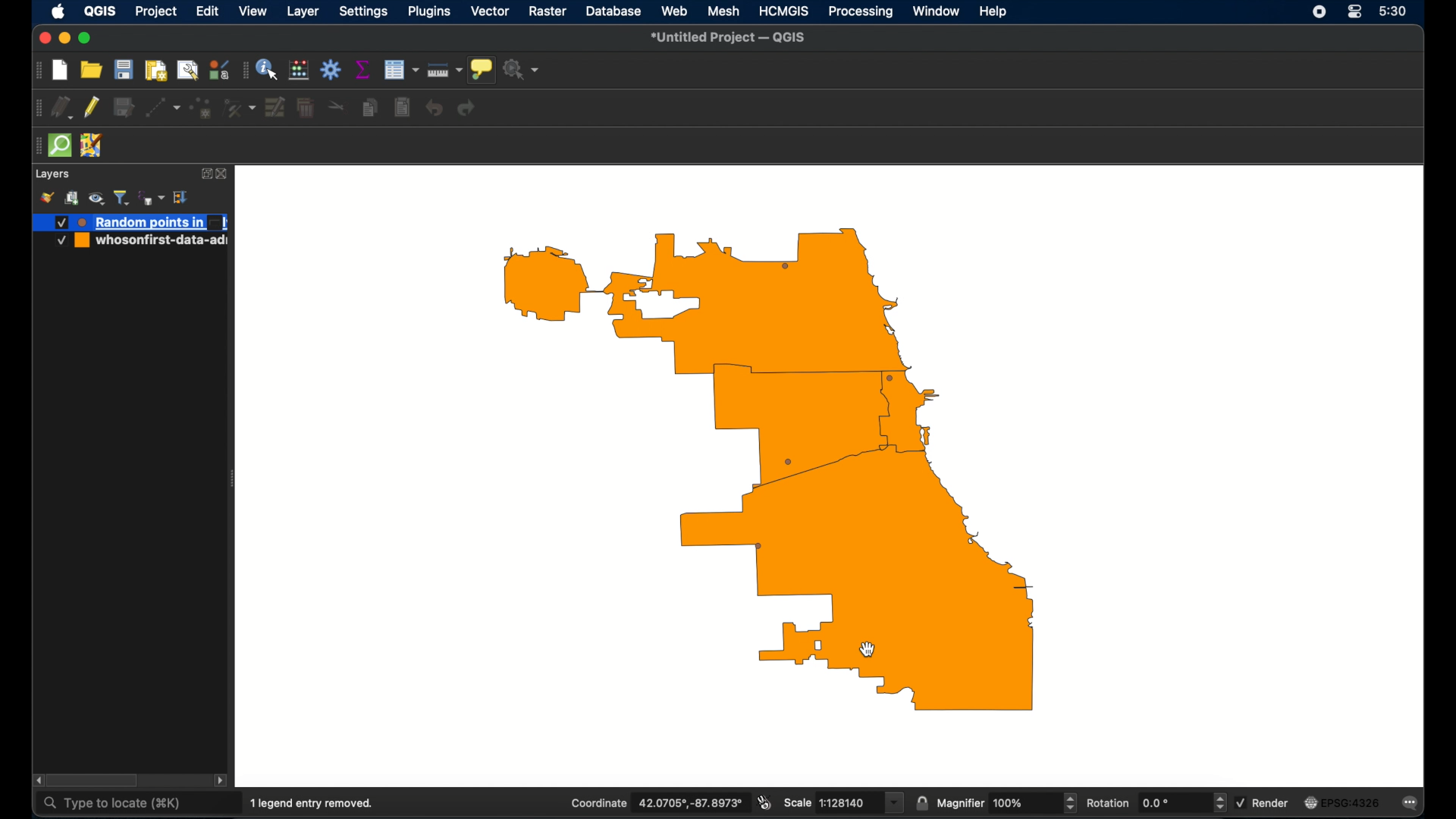 The width and height of the screenshot is (1456, 819). What do you see at coordinates (58, 11) in the screenshot?
I see `apple icon` at bounding box center [58, 11].